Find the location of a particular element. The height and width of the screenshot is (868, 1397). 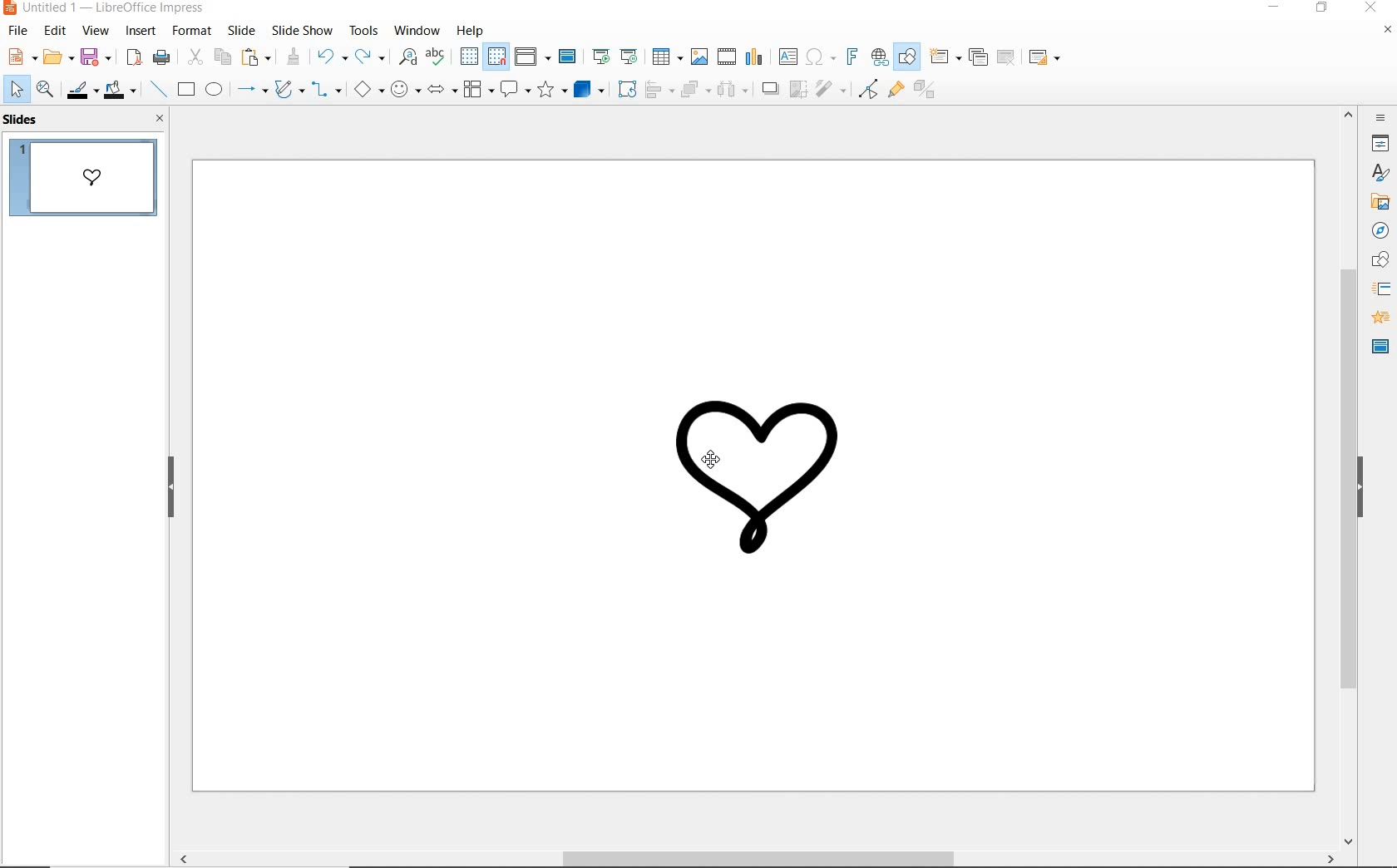

SIDEBAR SETTINGS is located at coordinates (1382, 118).